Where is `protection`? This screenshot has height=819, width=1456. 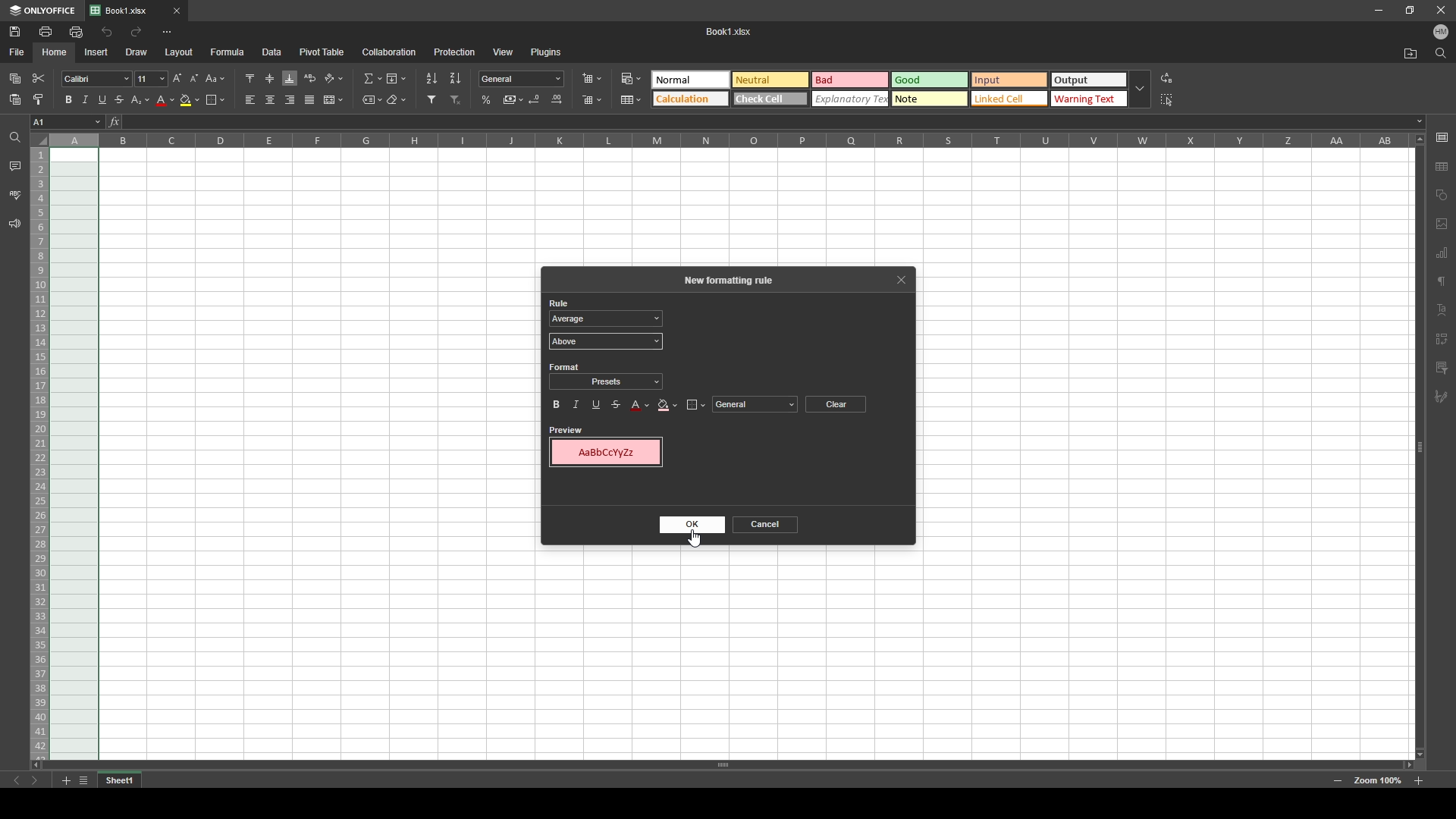 protection is located at coordinates (454, 52).